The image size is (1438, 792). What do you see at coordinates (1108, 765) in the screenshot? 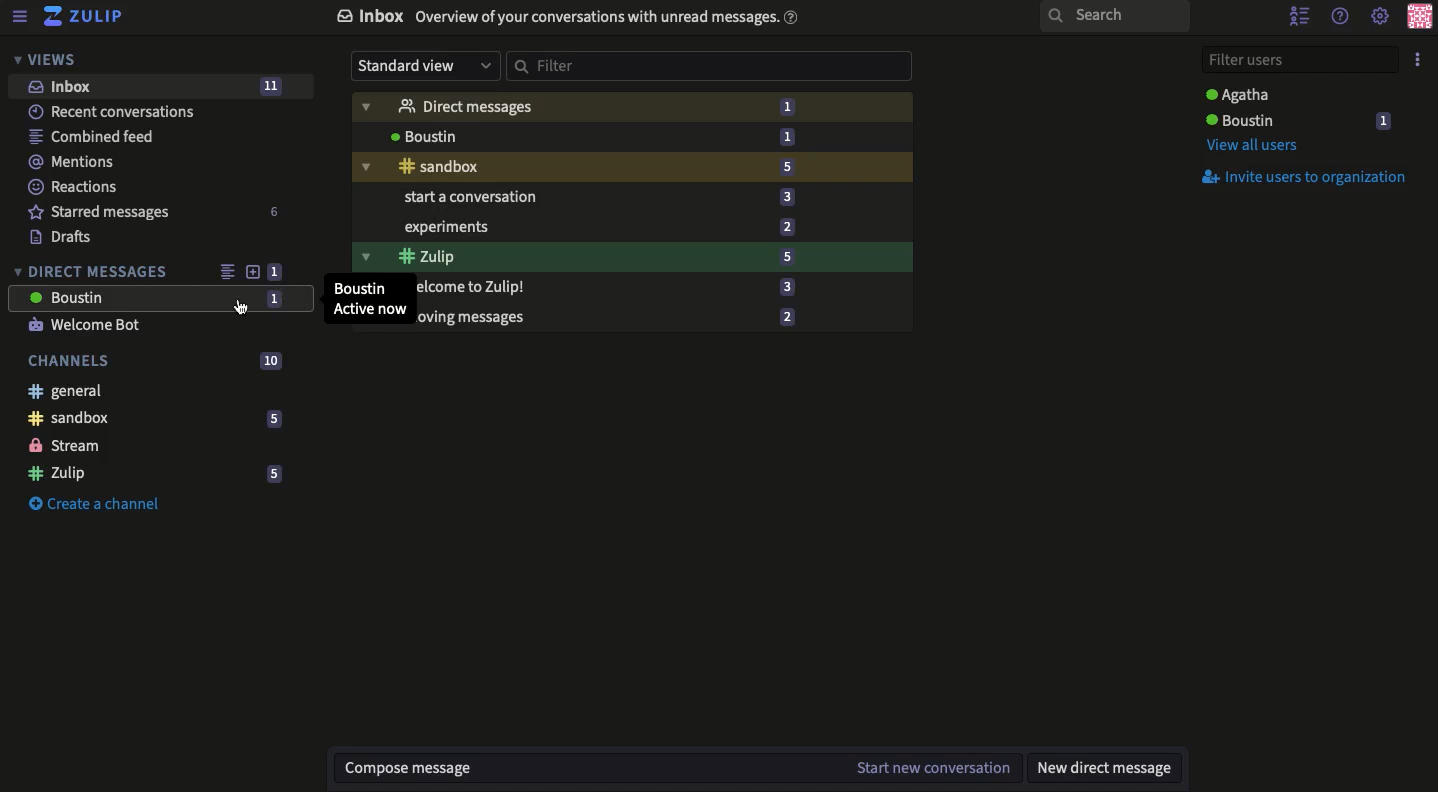
I see `New DM` at bounding box center [1108, 765].